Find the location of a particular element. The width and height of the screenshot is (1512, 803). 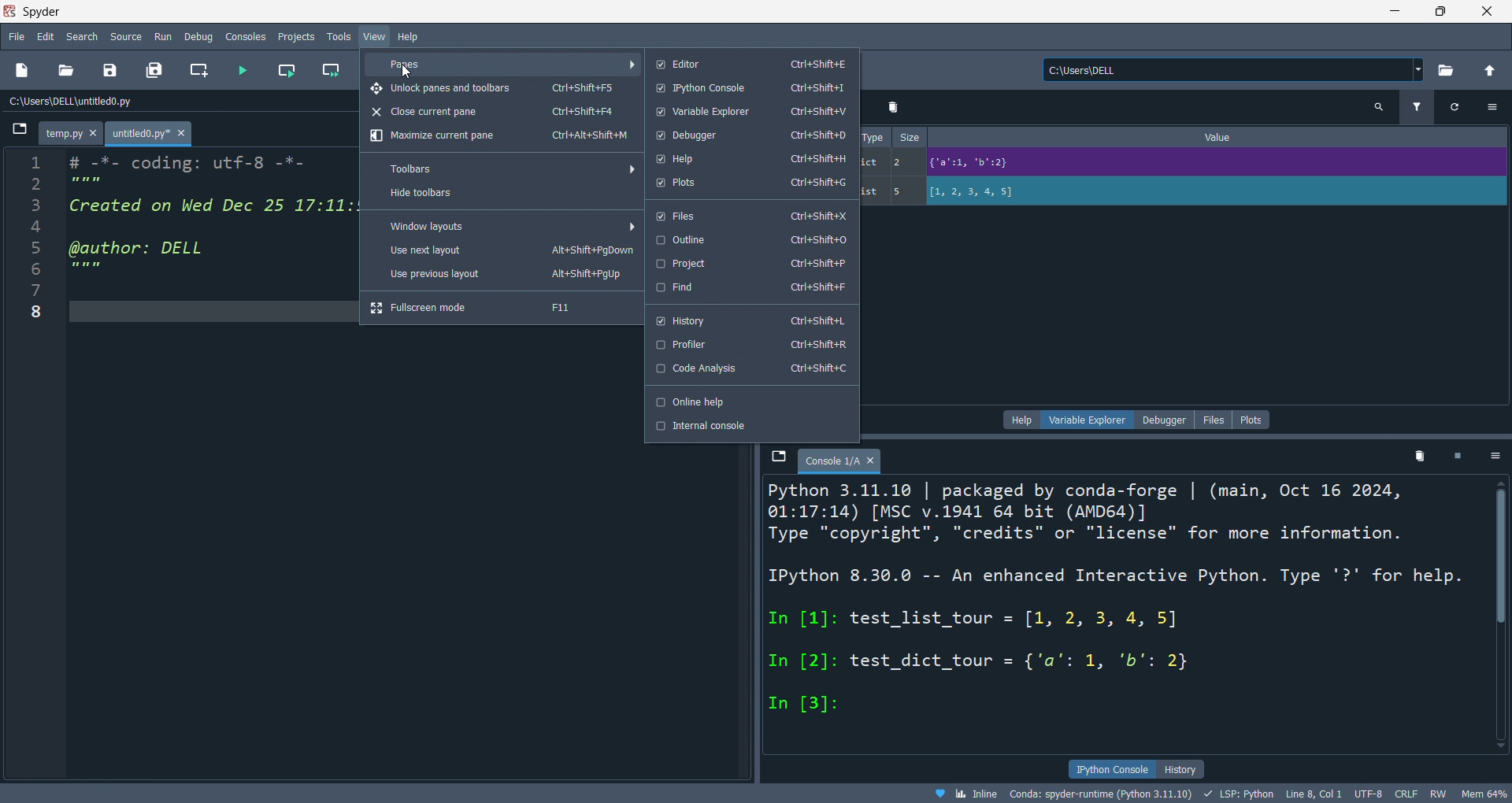

help is located at coordinates (409, 36).